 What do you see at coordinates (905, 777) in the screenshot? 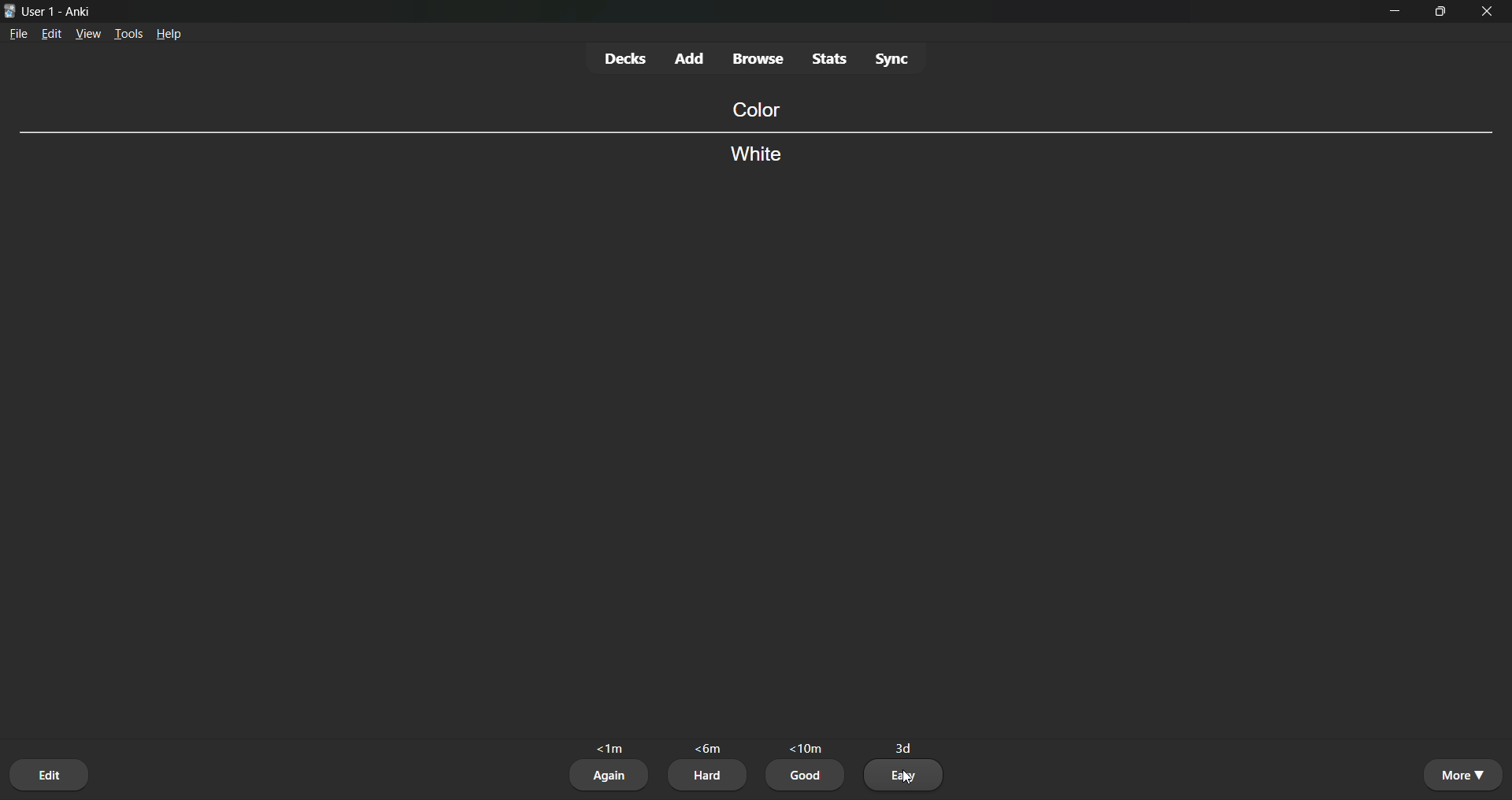
I see `cursor` at bounding box center [905, 777].